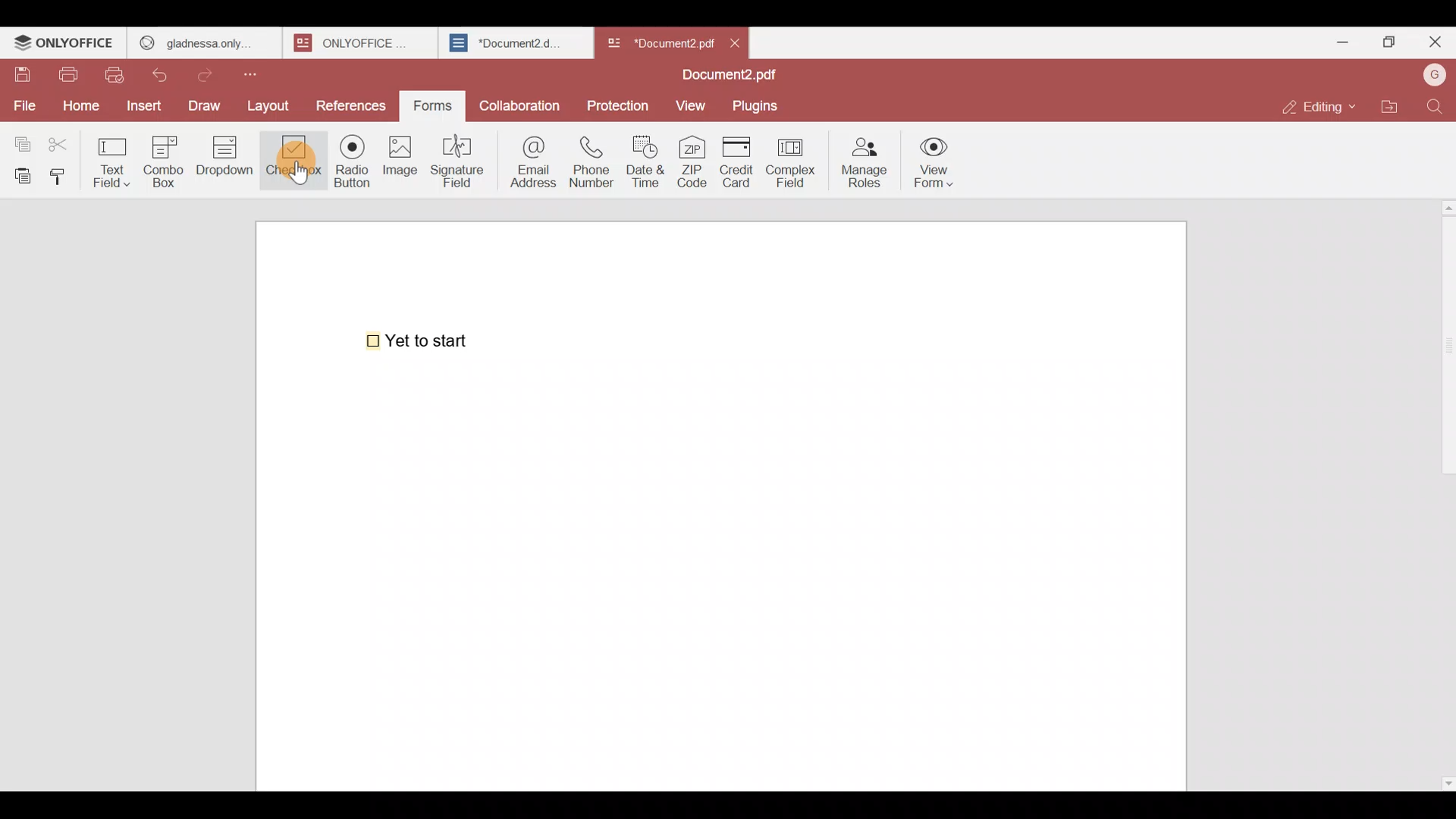  I want to click on File, so click(24, 104).